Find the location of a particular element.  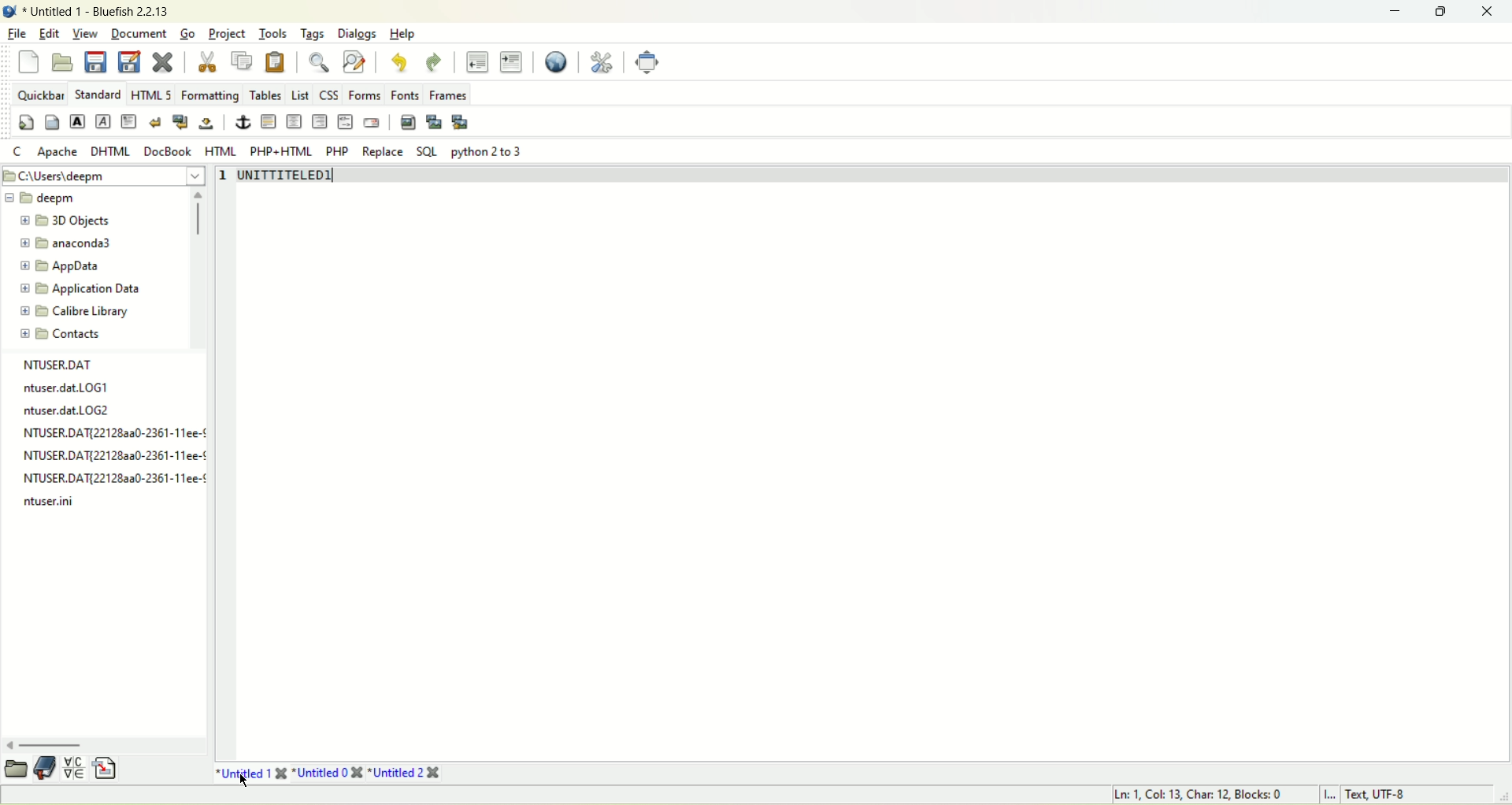

file  is located at coordinates (13, 33).